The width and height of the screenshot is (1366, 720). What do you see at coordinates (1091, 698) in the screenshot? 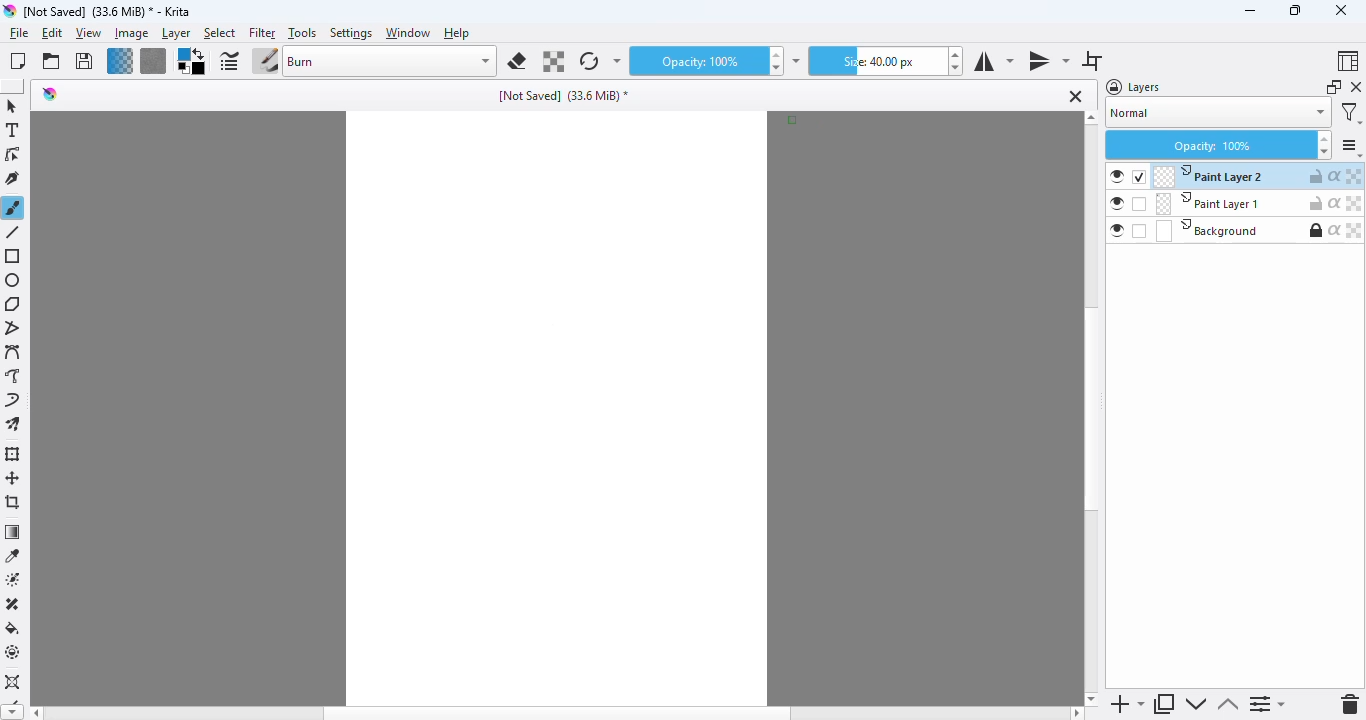
I see `scroll down` at bounding box center [1091, 698].